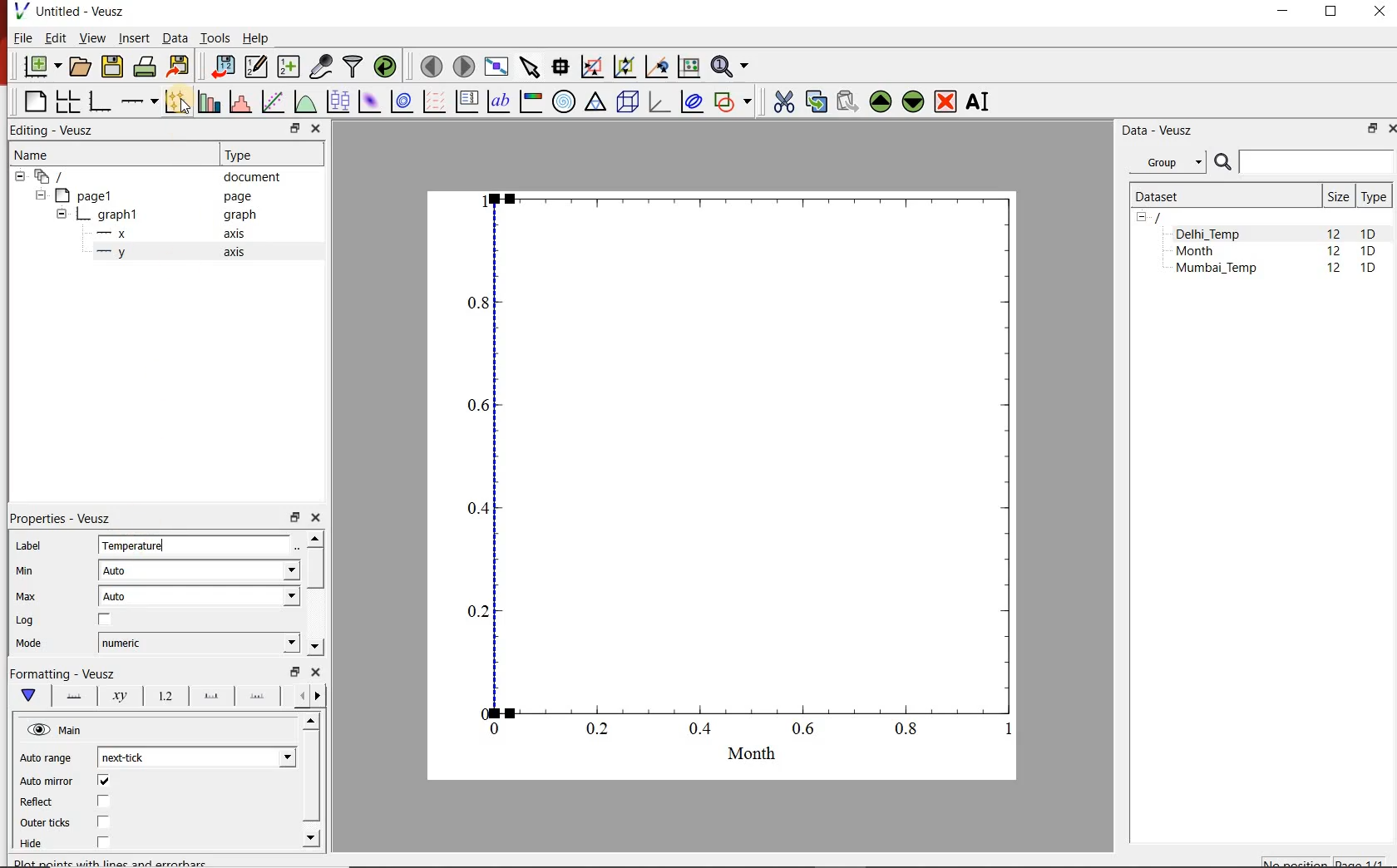 The image size is (1397, 868). What do you see at coordinates (200, 546) in the screenshot?
I see `Temperature` at bounding box center [200, 546].